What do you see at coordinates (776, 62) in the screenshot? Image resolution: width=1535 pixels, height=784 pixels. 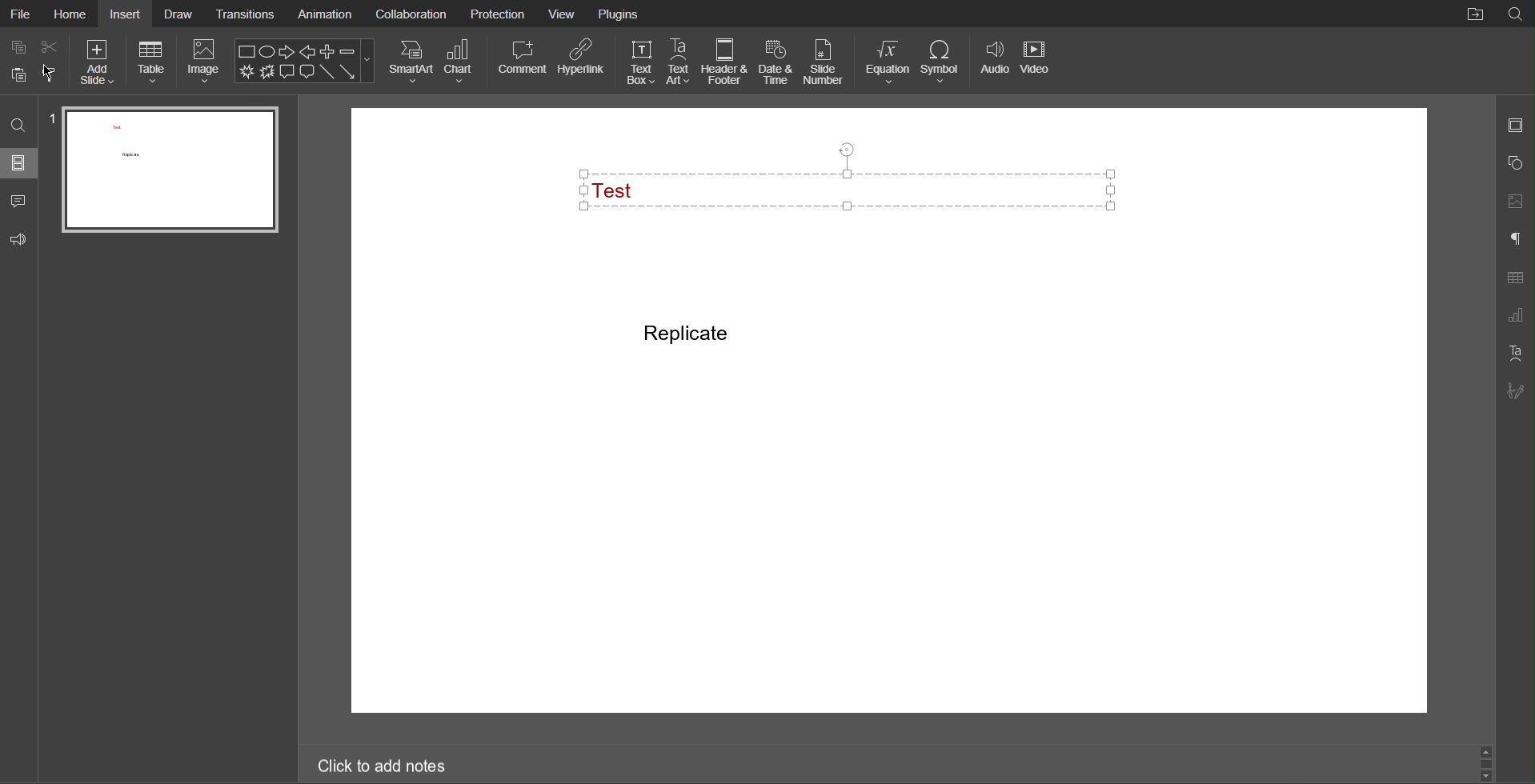 I see `Date & Time` at bounding box center [776, 62].